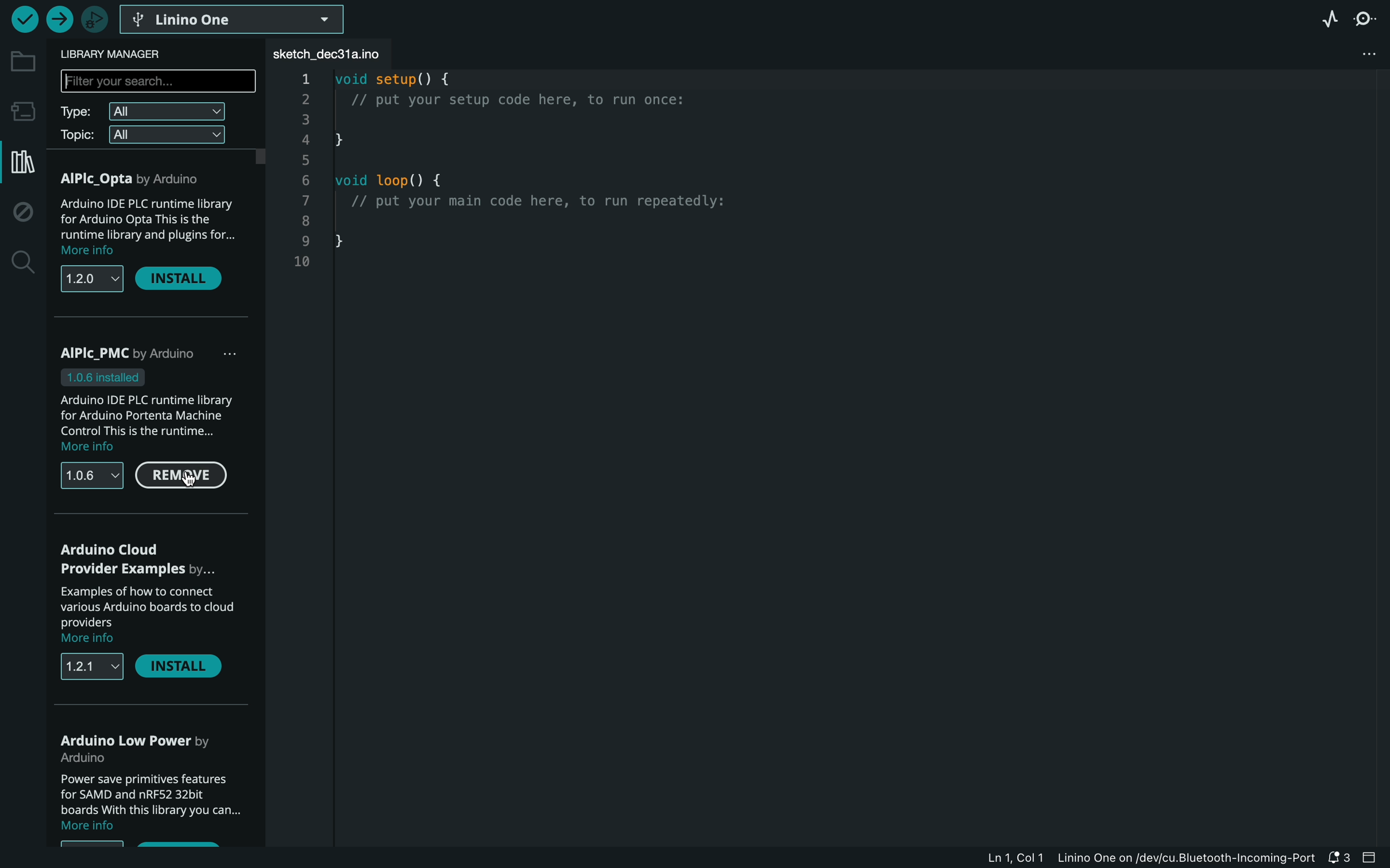 The width and height of the screenshot is (1390, 868). Describe the element at coordinates (1339, 858) in the screenshot. I see `notification` at that location.